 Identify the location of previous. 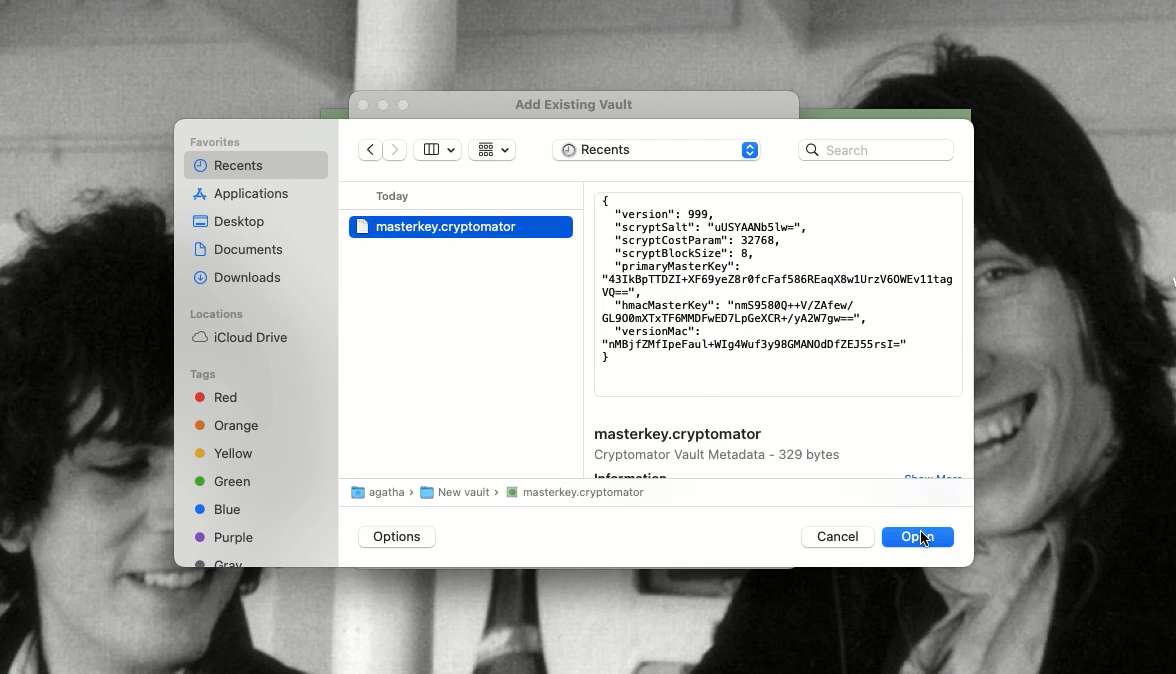
(371, 152).